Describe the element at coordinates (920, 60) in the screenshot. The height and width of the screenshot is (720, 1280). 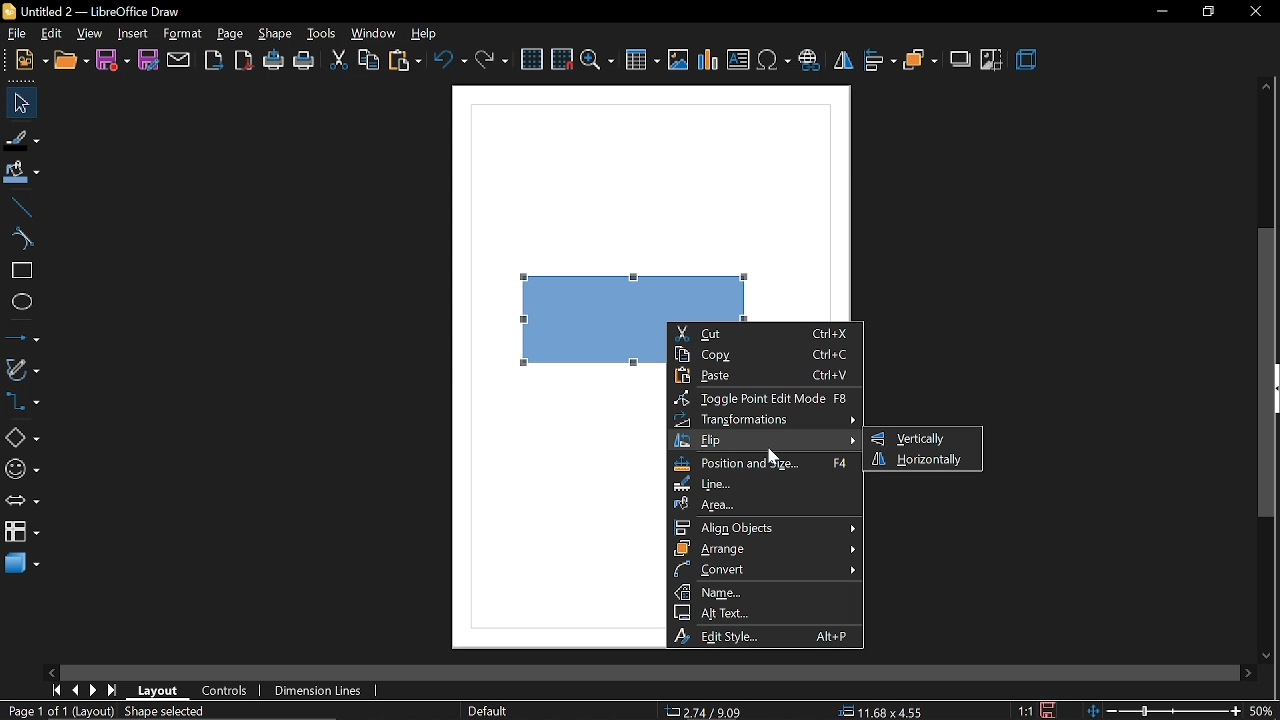
I see `arrange` at that location.